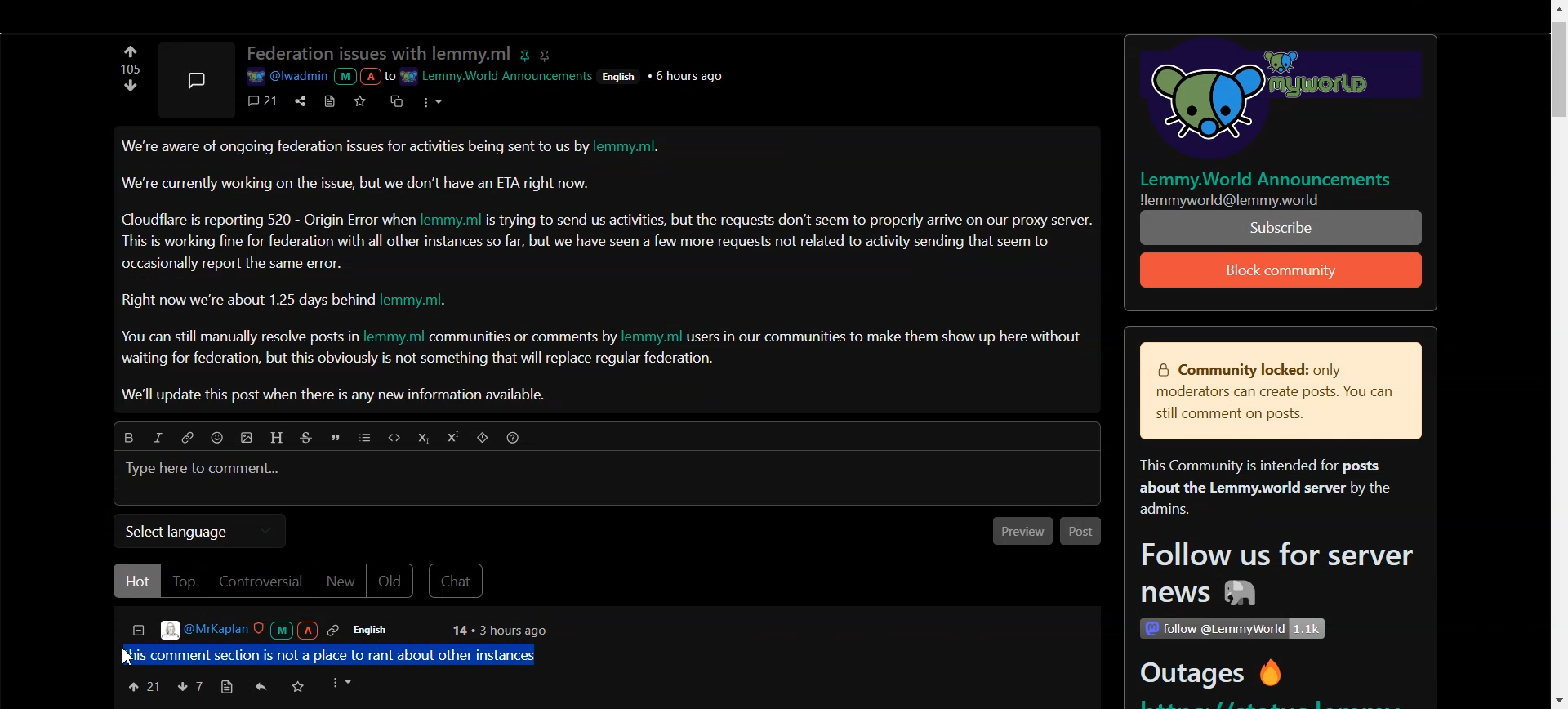 The image size is (1568, 709). Describe the element at coordinates (548, 54) in the screenshot. I see `hyperlink` at that location.